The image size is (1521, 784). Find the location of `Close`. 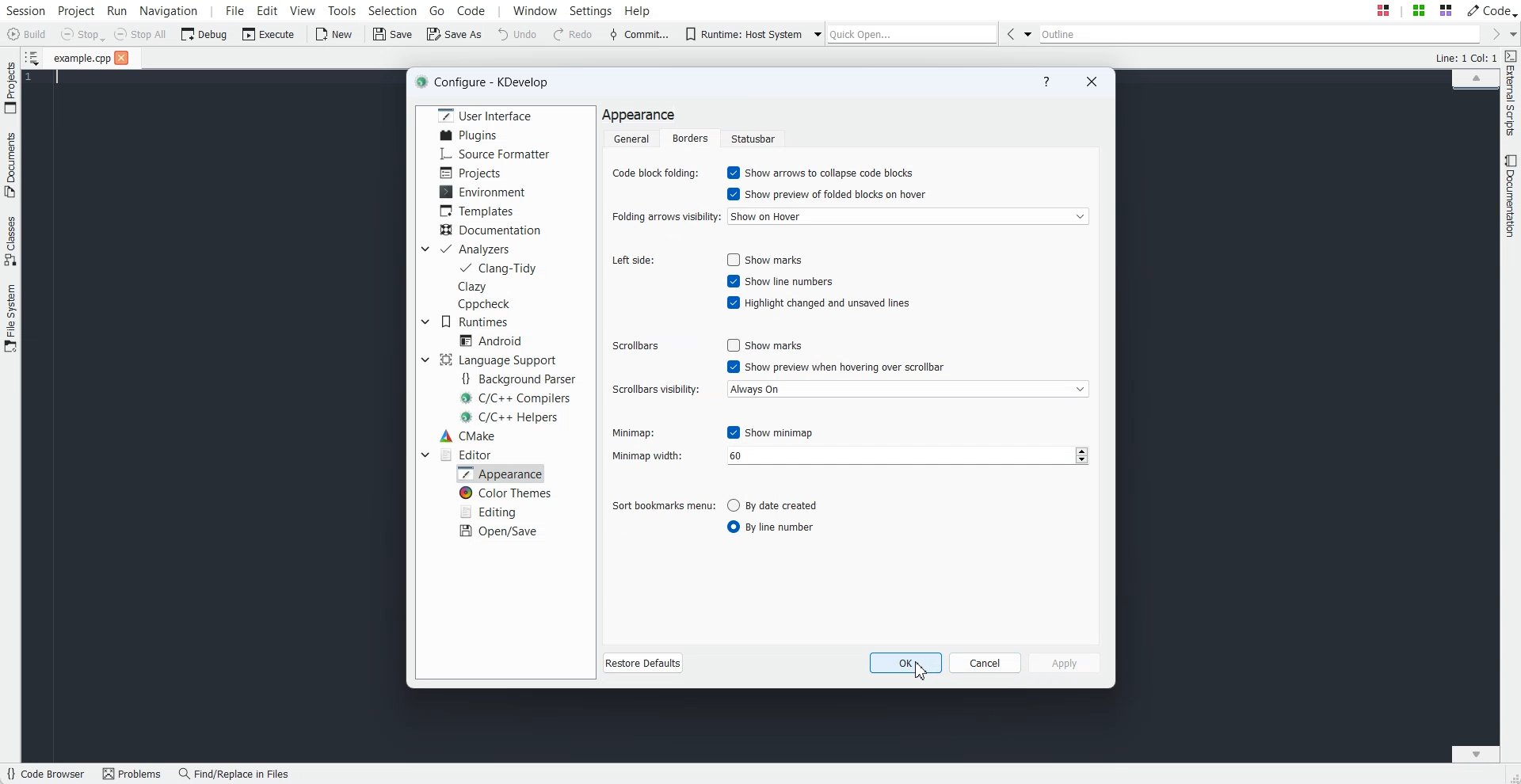

Close is located at coordinates (1089, 82).